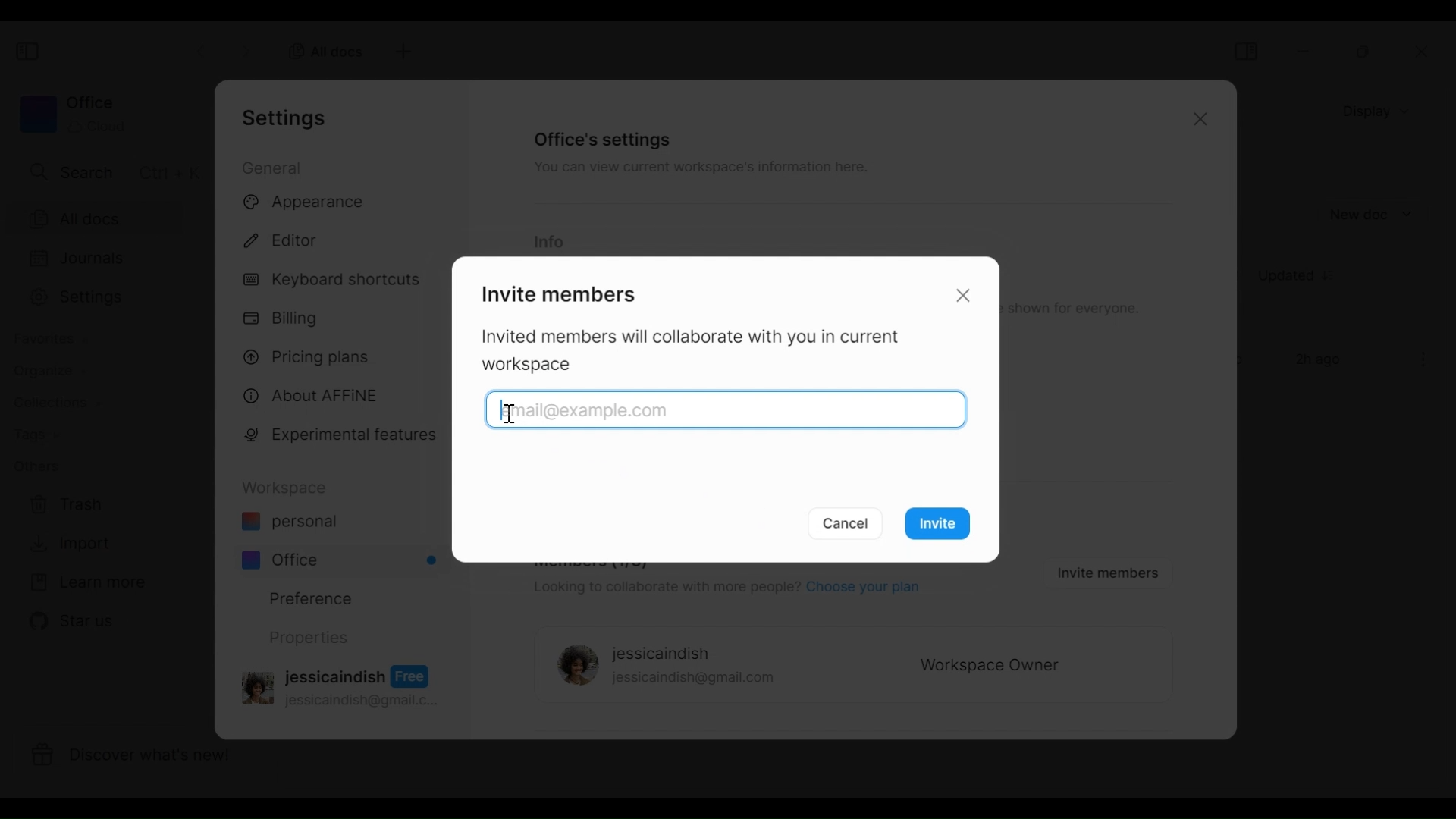 The image size is (1456, 819). What do you see at coordinates (289, 488) in the screenshot?
I see `Workspace` at bounding box center [289, 488].